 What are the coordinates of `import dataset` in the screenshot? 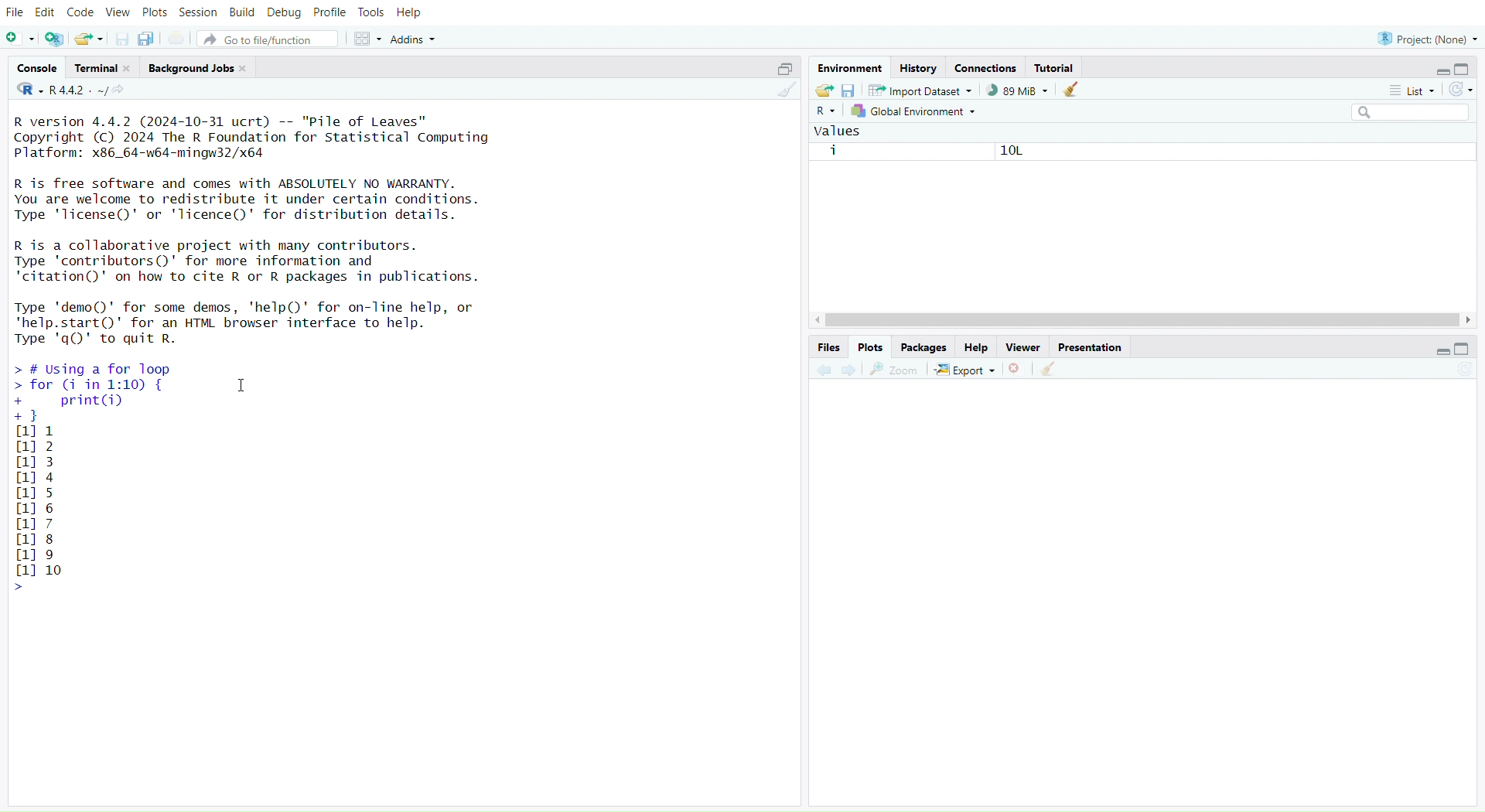 It's located at (920, 91).